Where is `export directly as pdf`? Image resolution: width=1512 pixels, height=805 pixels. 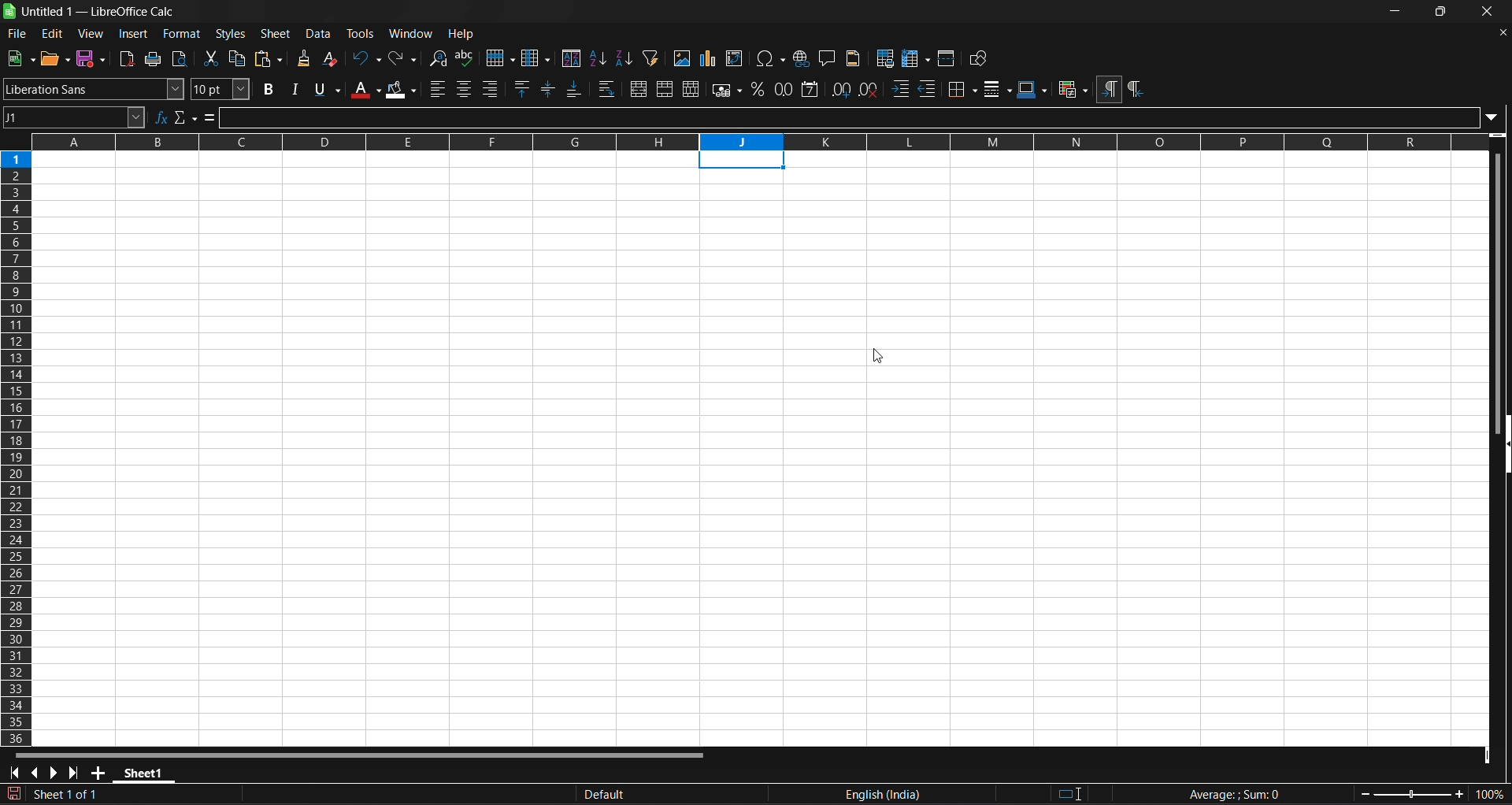
export directly as pdf is located at coordinates (125, 59).